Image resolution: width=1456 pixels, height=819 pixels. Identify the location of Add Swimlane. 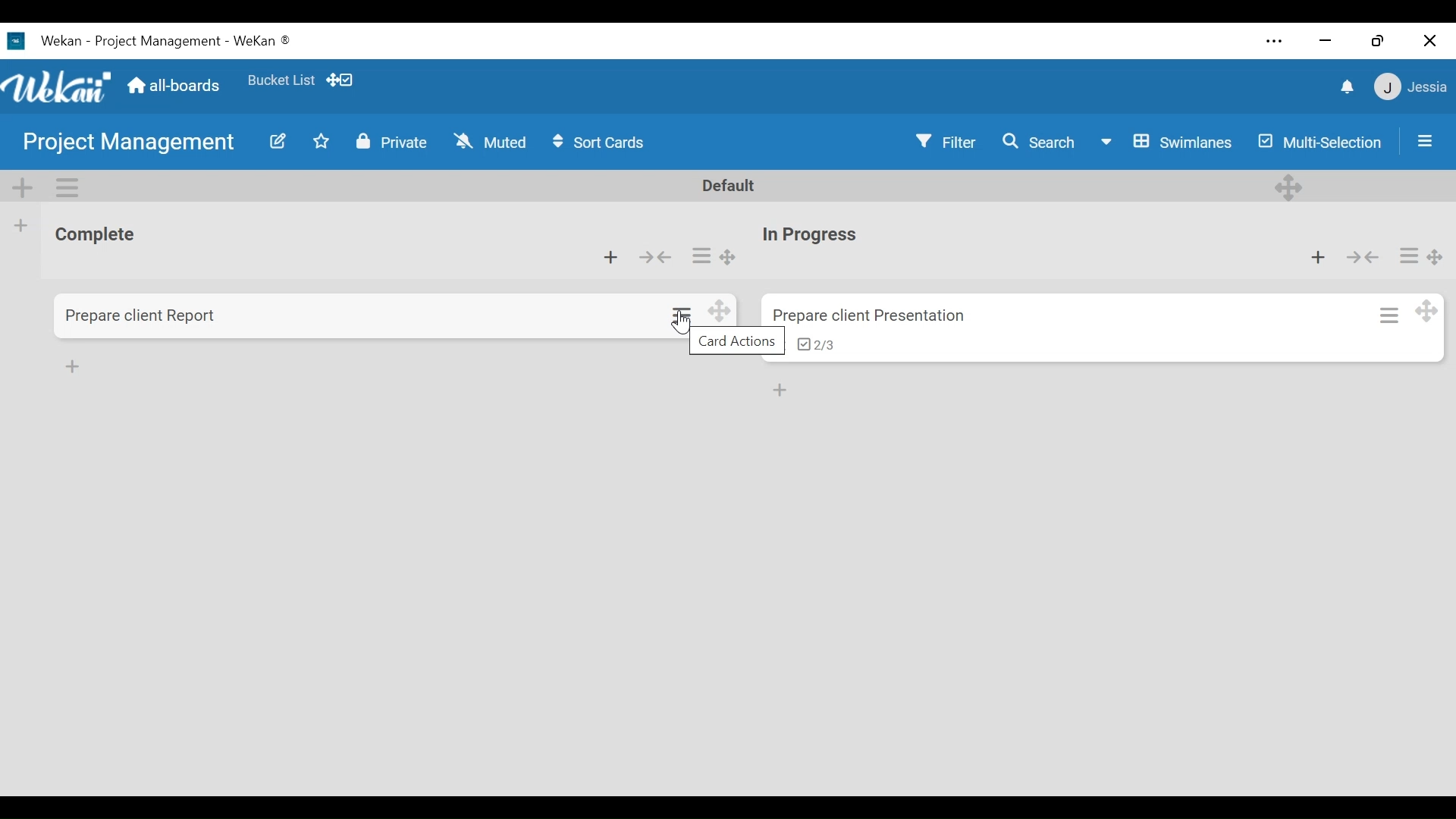
(27, 188).